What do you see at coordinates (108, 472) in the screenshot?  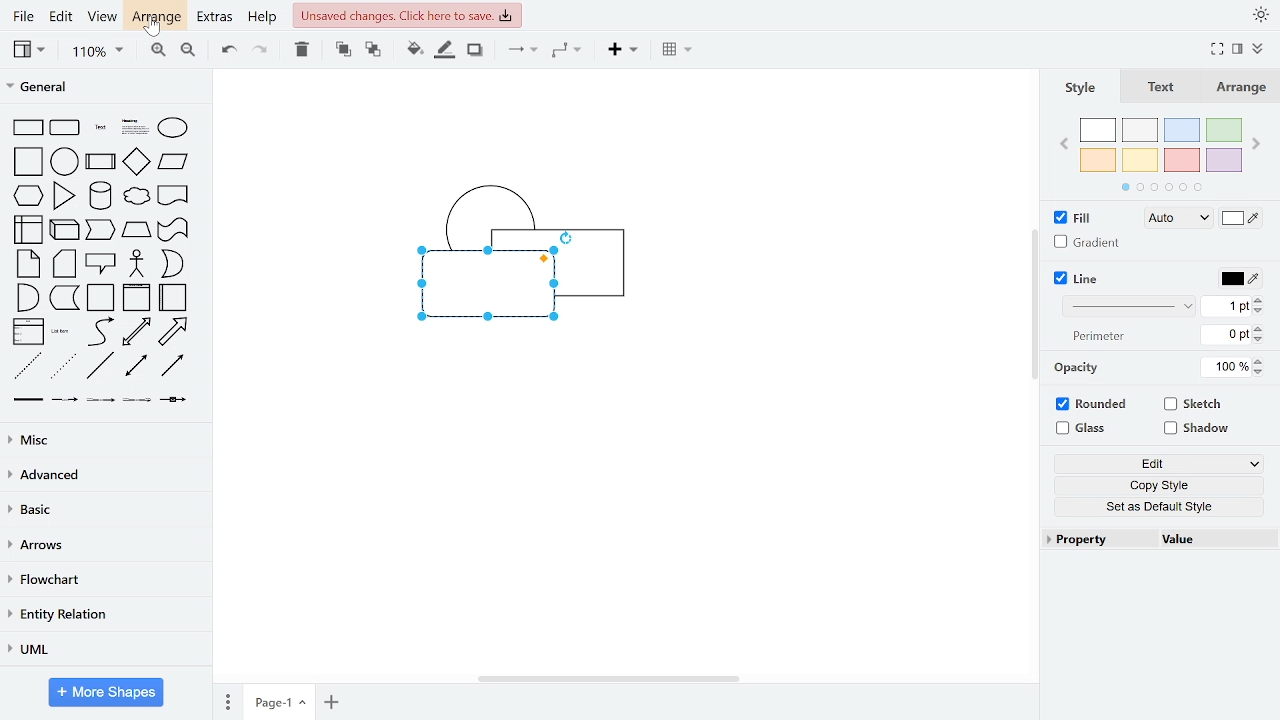 I see `advanced` at bounding box center [108, 472].